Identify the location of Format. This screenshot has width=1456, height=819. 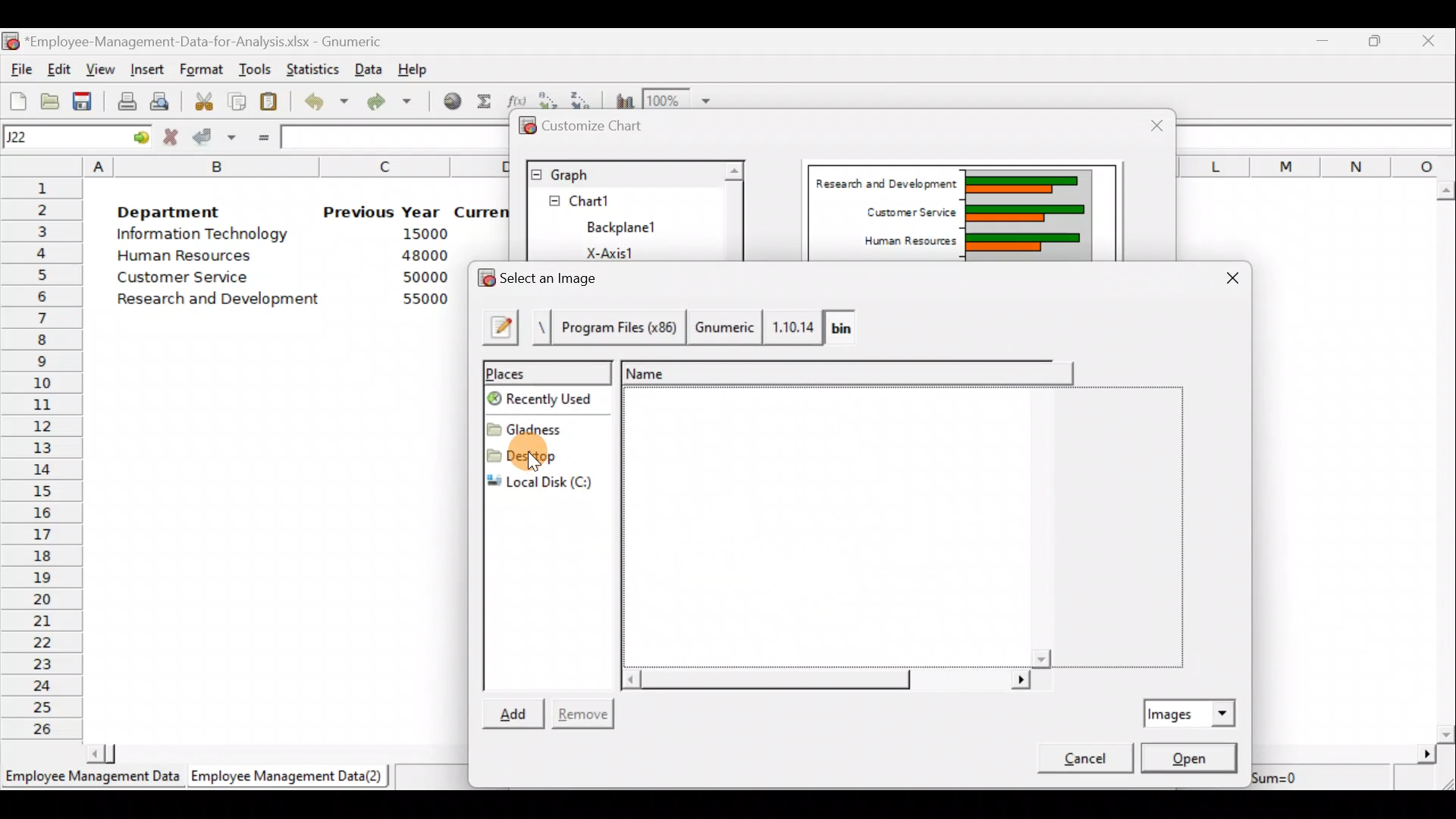
(203, 67).